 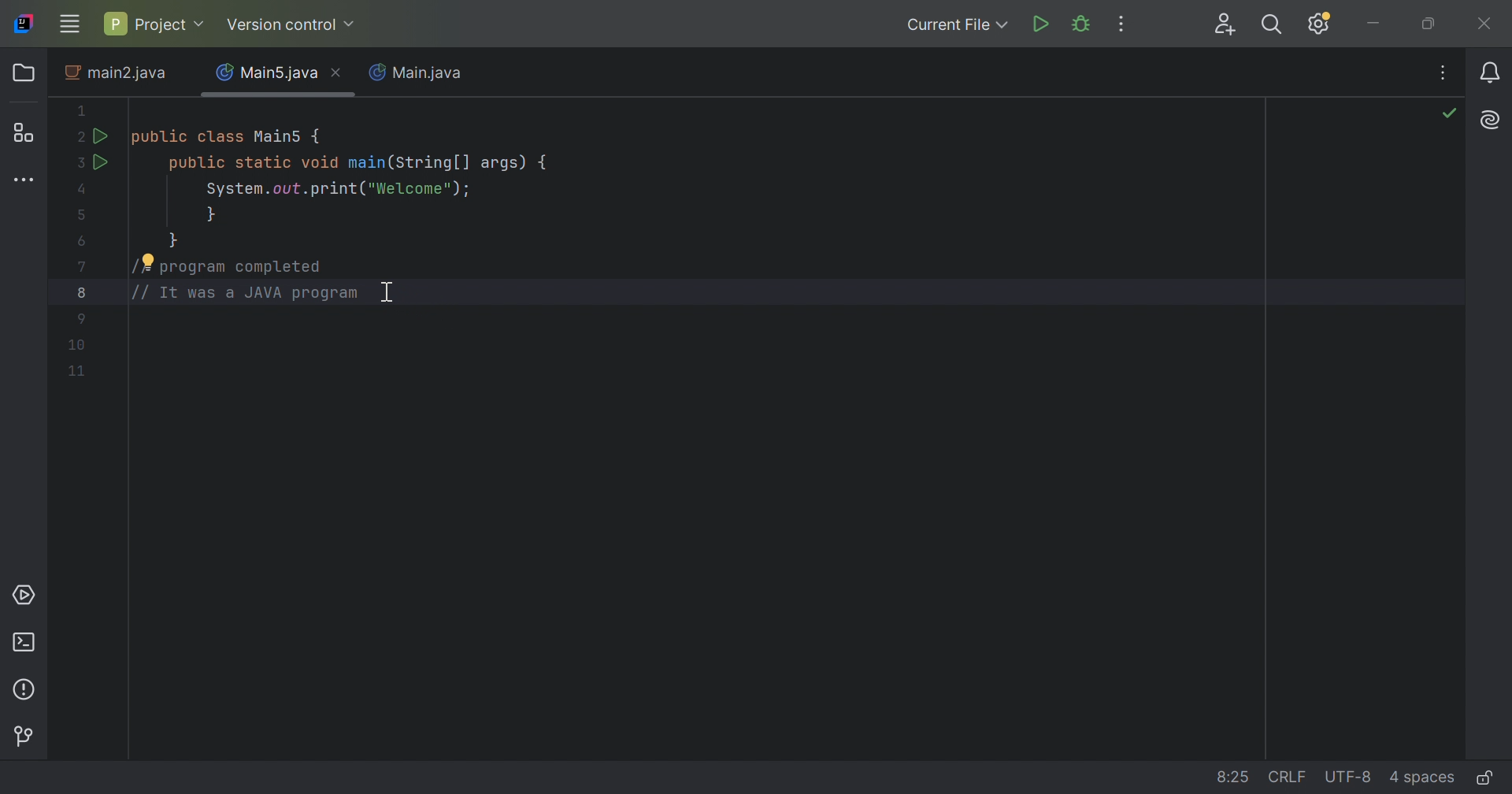 What do you see at coordinates (267, 70) in the screenshot?
I see `Main5.java` at bounding box center [267, 70].